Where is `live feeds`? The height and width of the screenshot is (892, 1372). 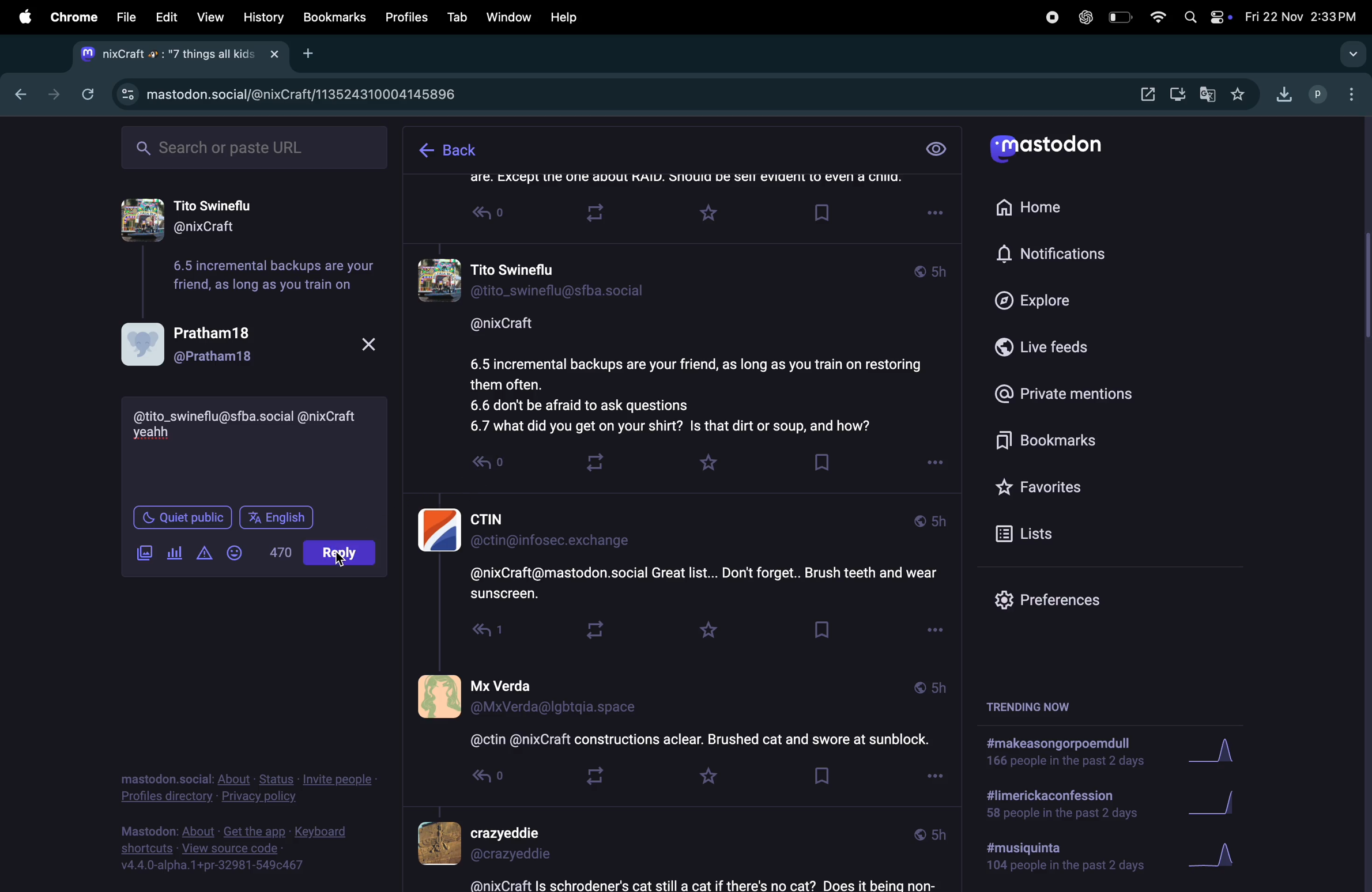 live feeds is located at coordinates (1061, 350).